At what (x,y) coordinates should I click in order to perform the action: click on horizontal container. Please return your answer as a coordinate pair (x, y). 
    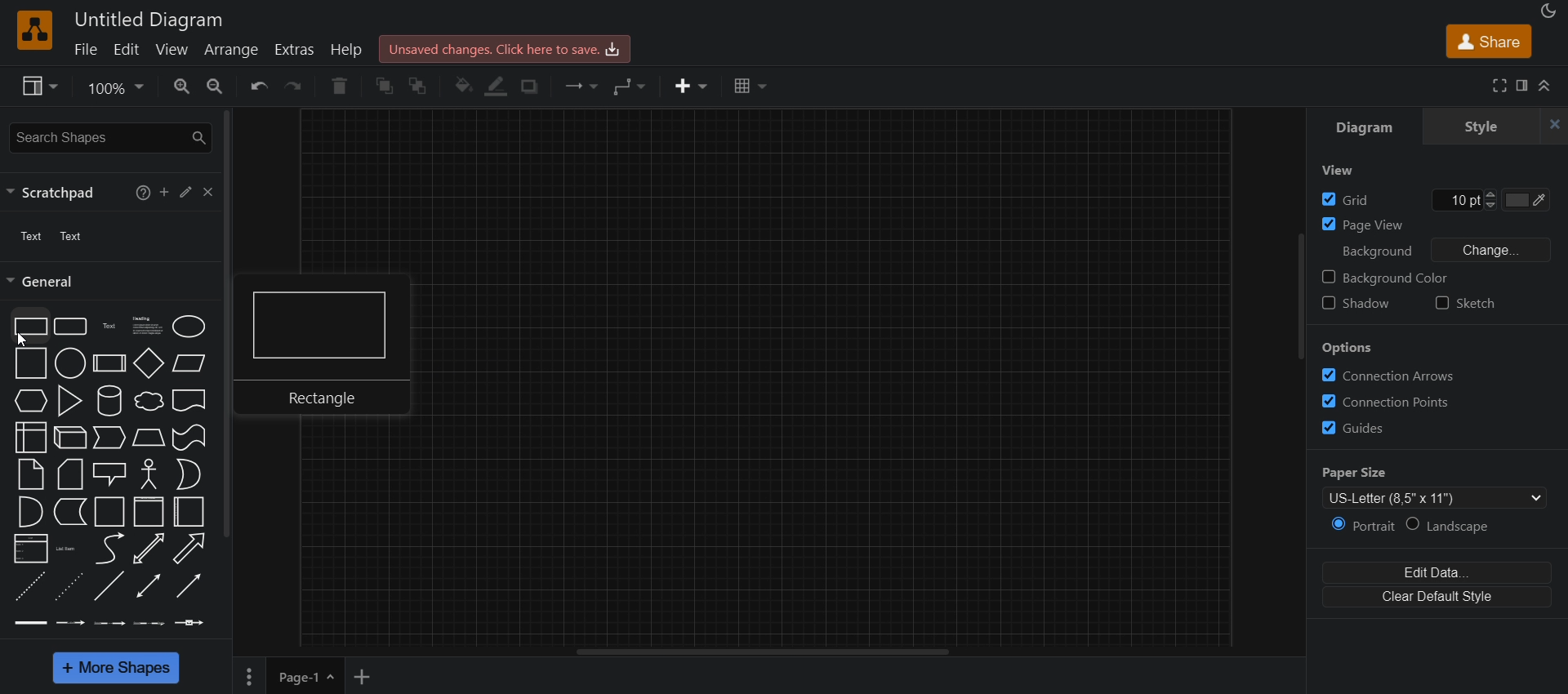
    Looking at the image, I should click on (189, 512).